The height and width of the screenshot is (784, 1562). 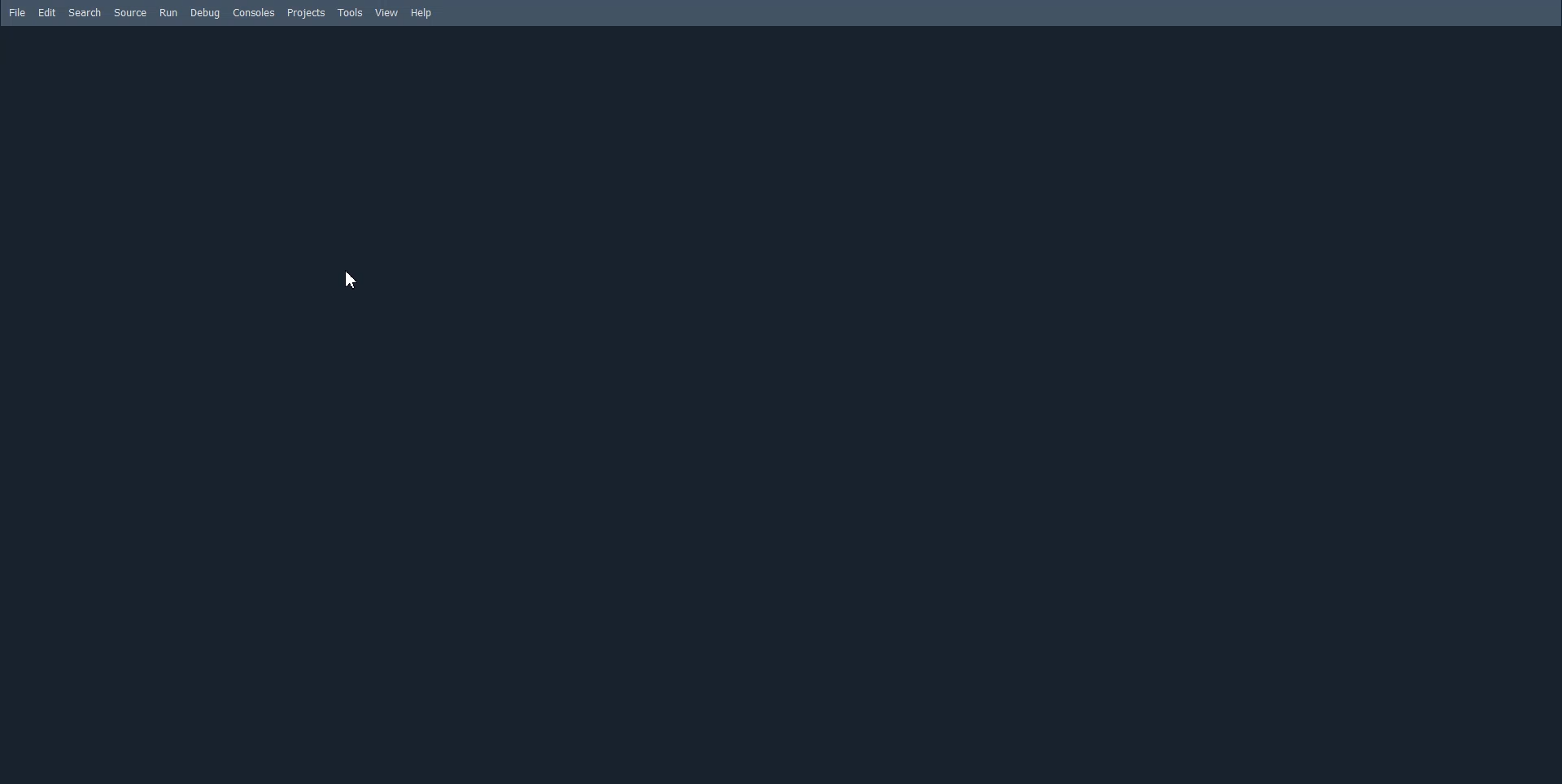 I want to click on Projects, so click(x=306, y=12).